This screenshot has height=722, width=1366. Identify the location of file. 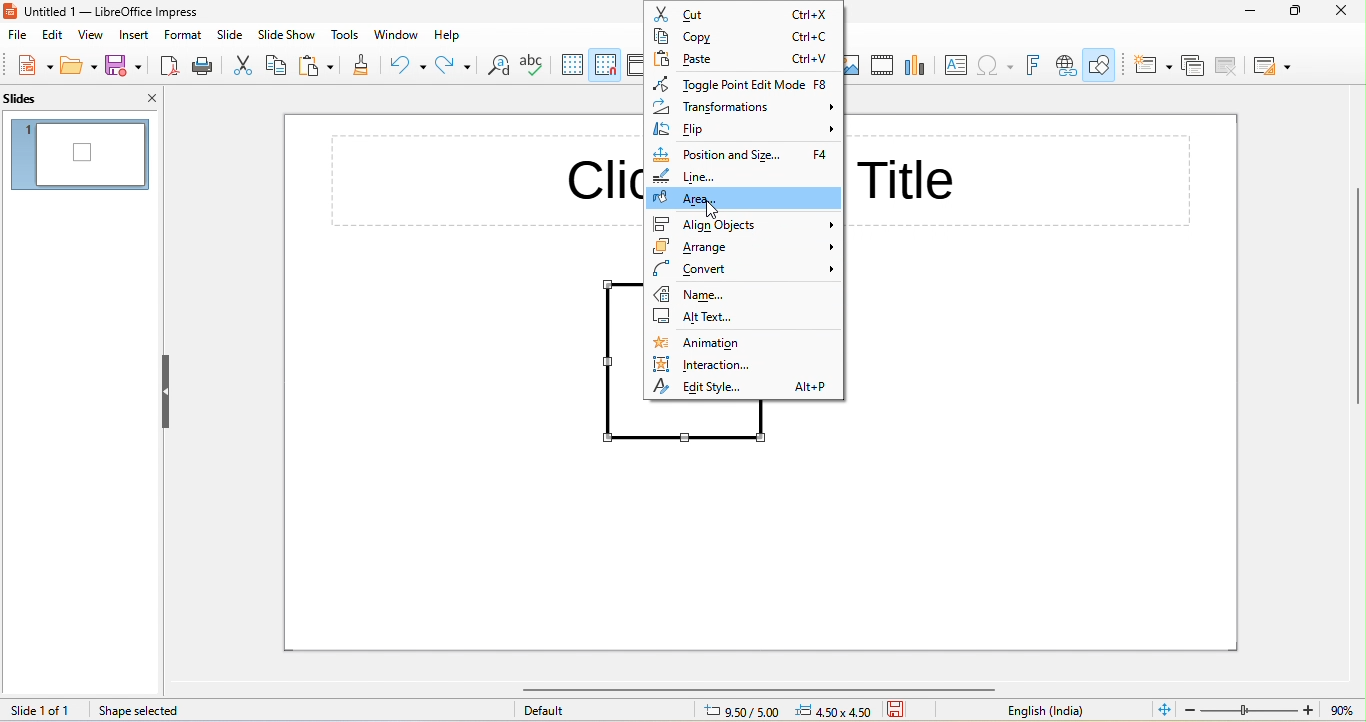
(15, 36).